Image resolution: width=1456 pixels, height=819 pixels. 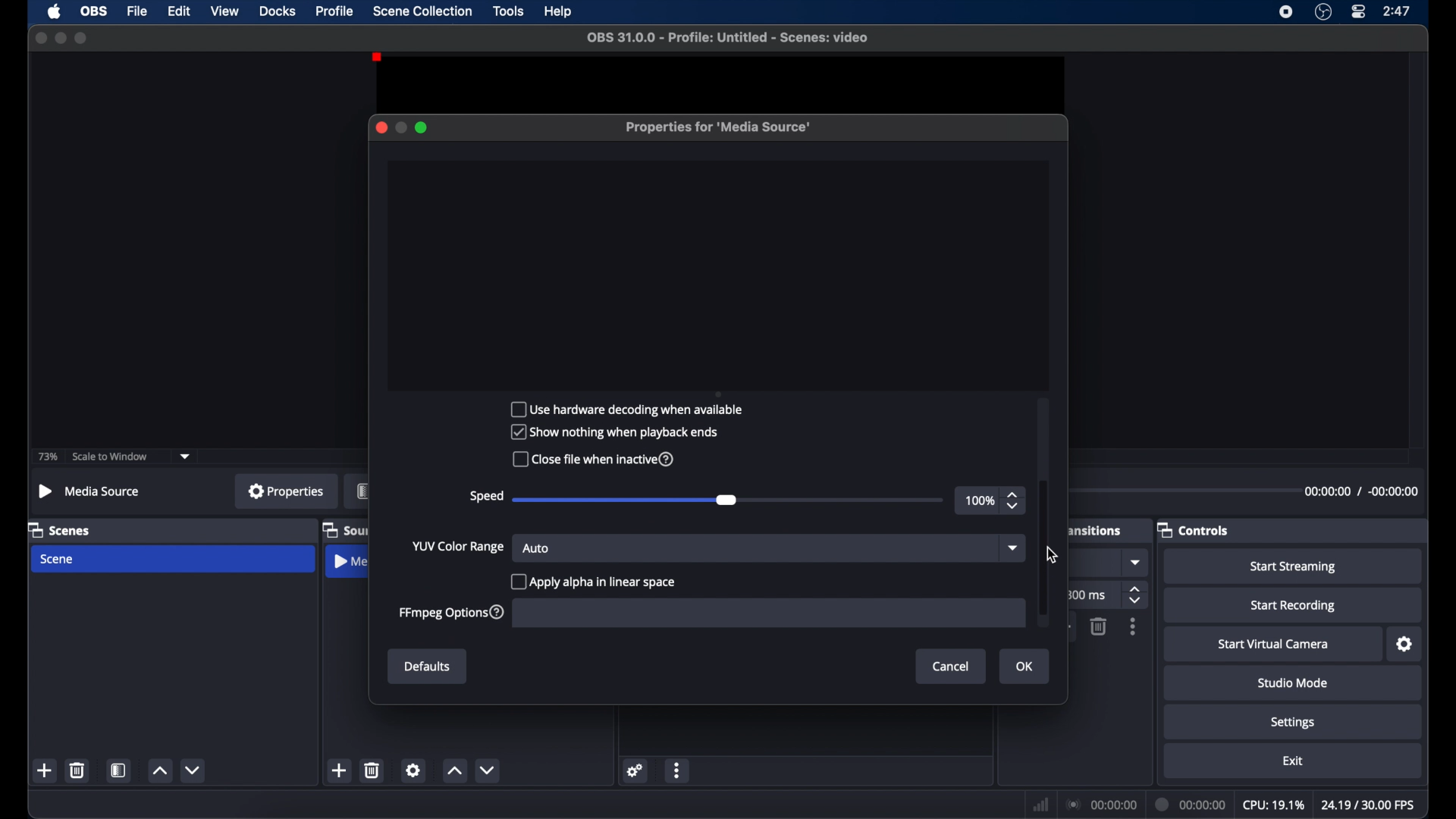 What do you see at coordinates (1360, 491) in the screenshot?
I see `duration` at bounding box center [1360, 491].